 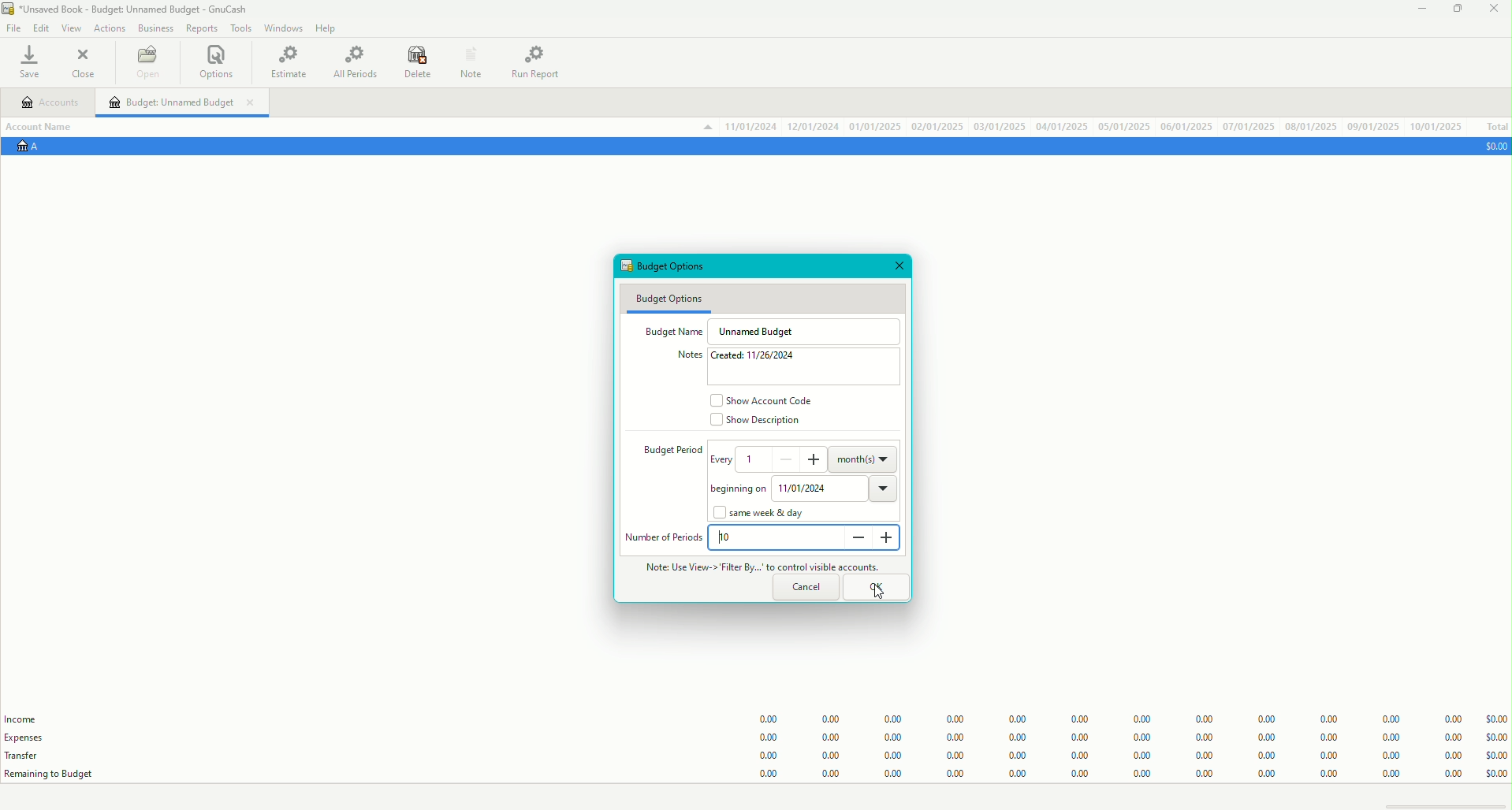 What do you see at coordinates (329, 28) in the screenshot?
I see `Help` at bounding box center [329, 28].